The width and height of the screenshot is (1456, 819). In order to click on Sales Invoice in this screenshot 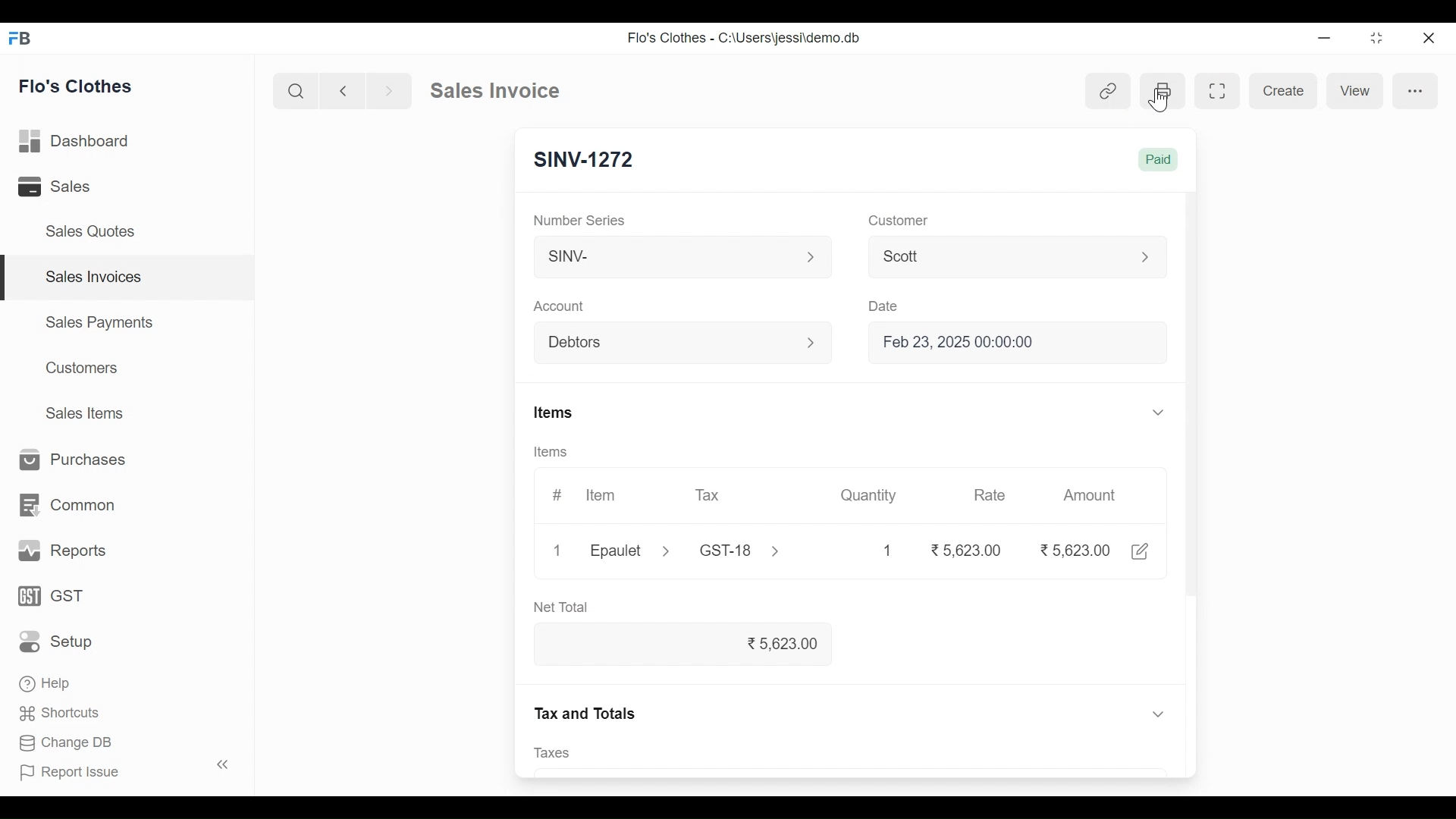, I will do `click(496, 89)`.